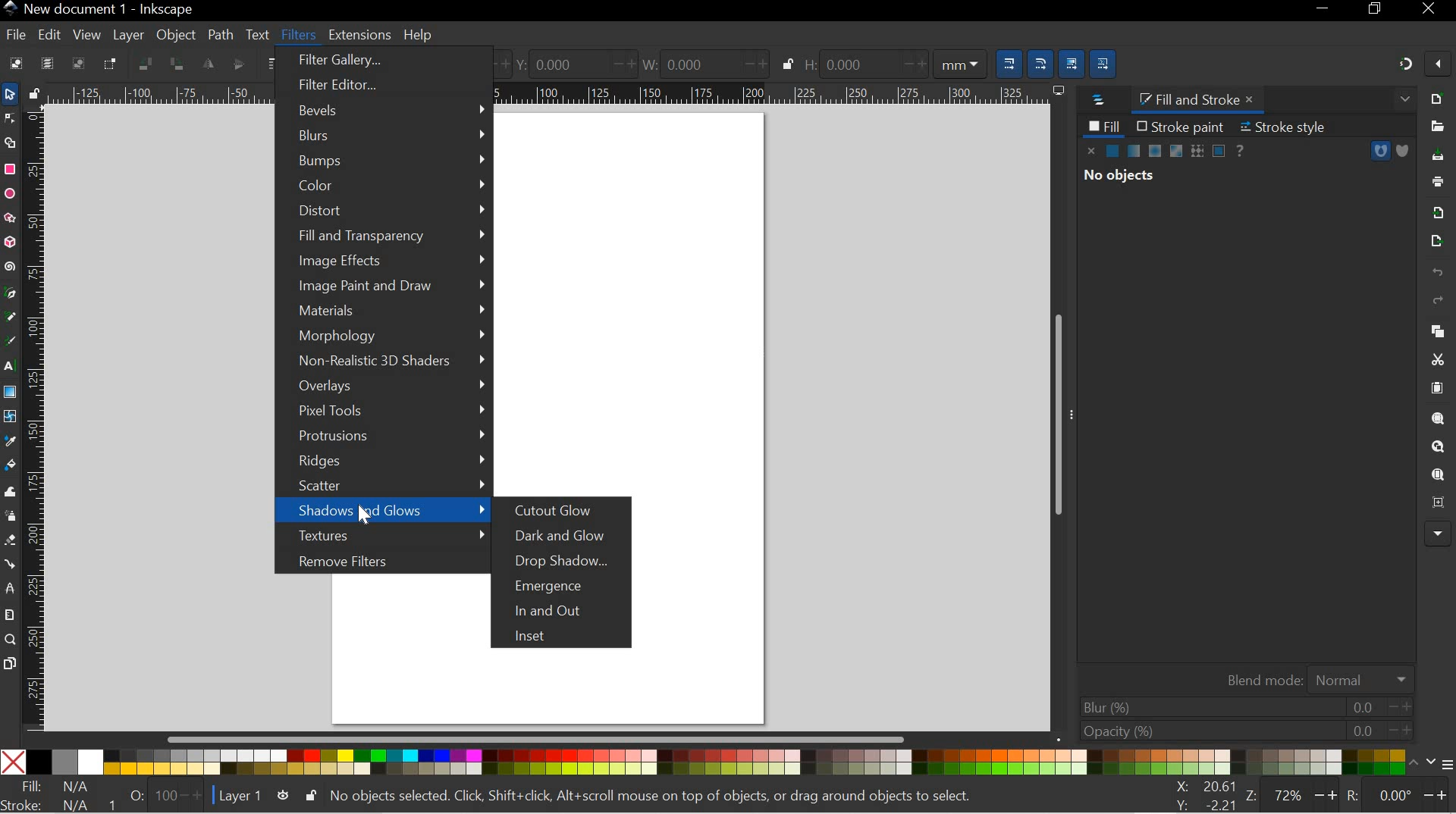  Describe the element at coordinates (85, 34) in the screenshot. I see `VIEW` at that location.